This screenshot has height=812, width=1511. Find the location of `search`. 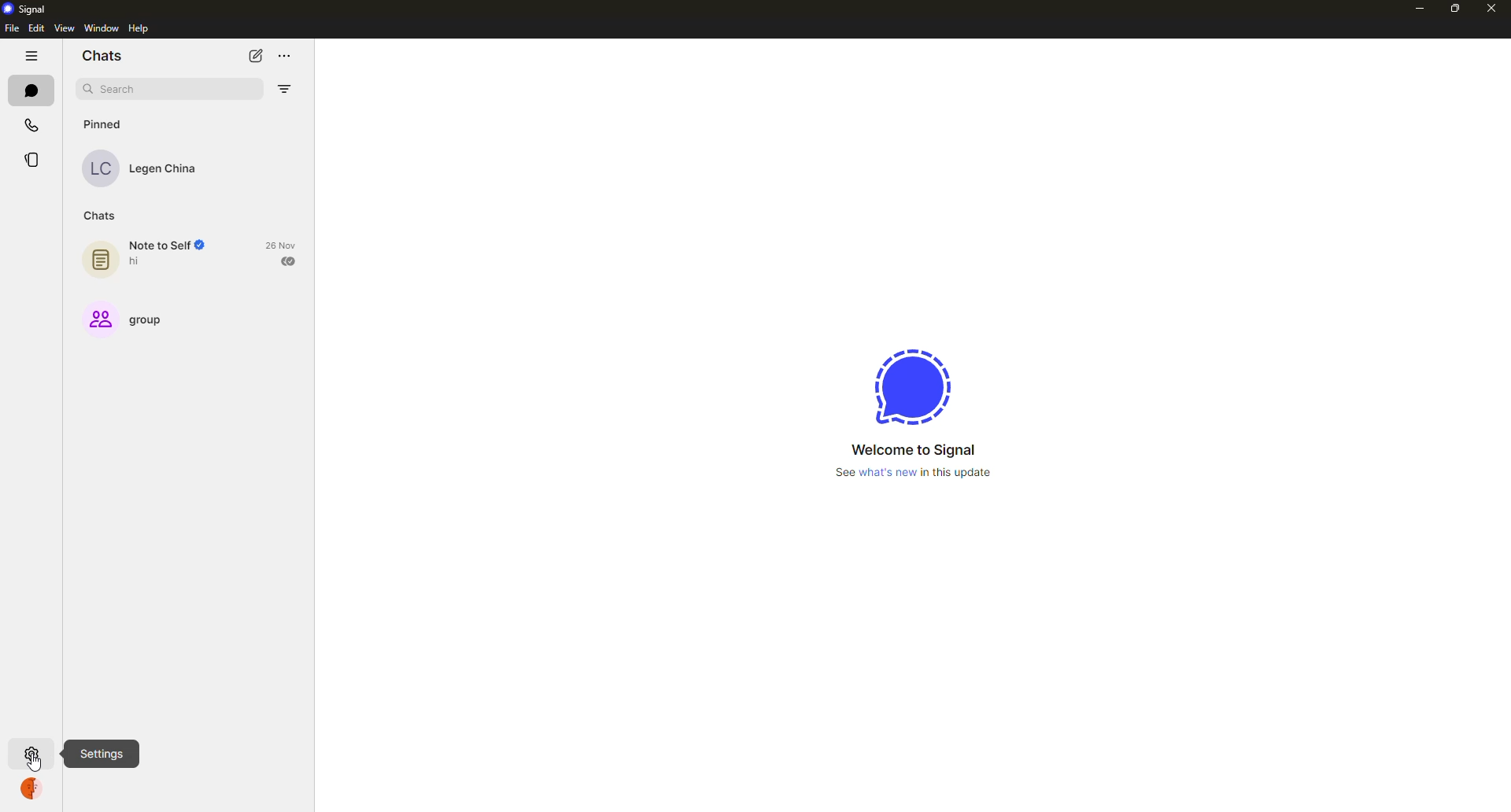

search is located at coordinates (110, 87).